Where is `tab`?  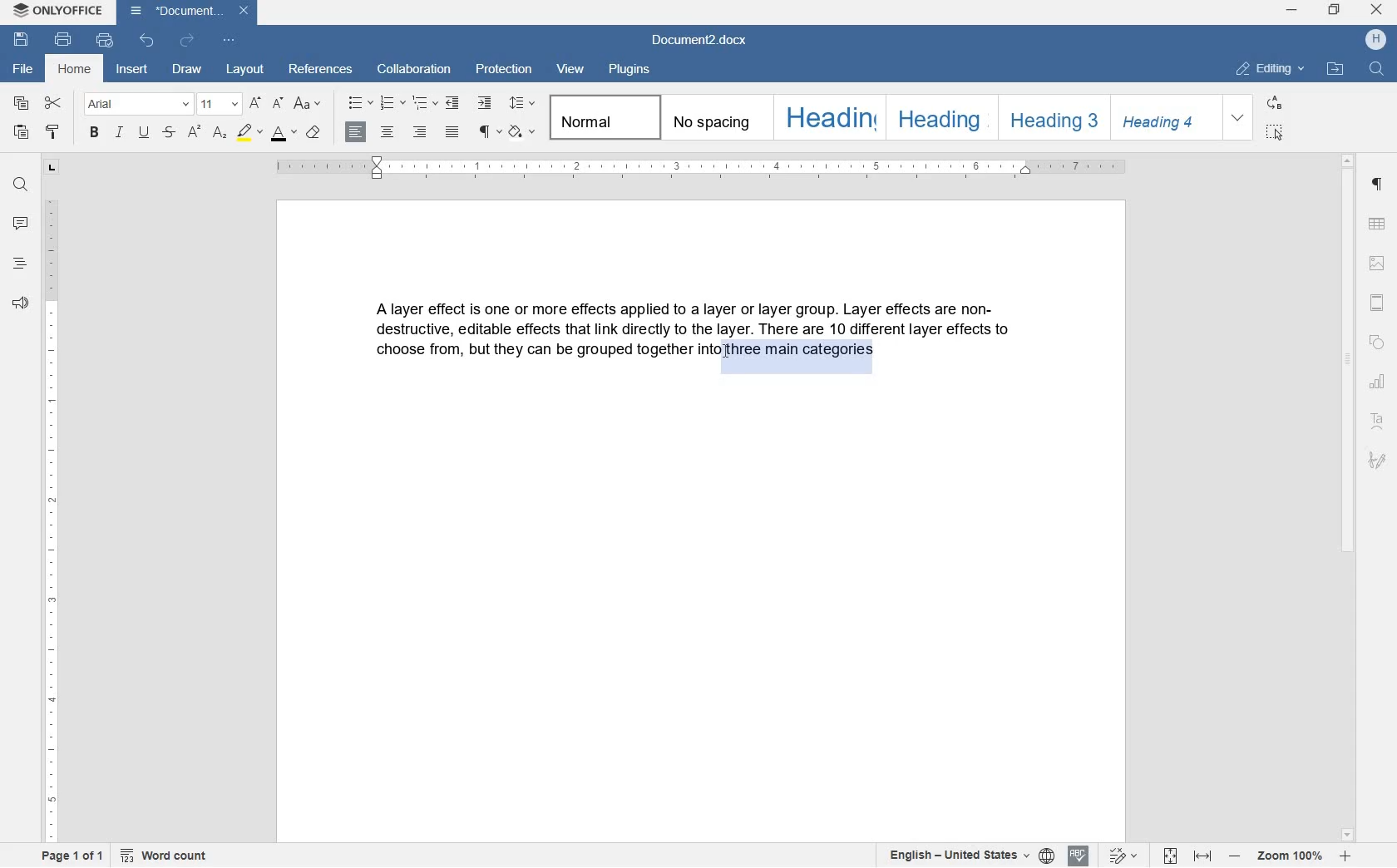 tab is located at coordinates (52, 167).